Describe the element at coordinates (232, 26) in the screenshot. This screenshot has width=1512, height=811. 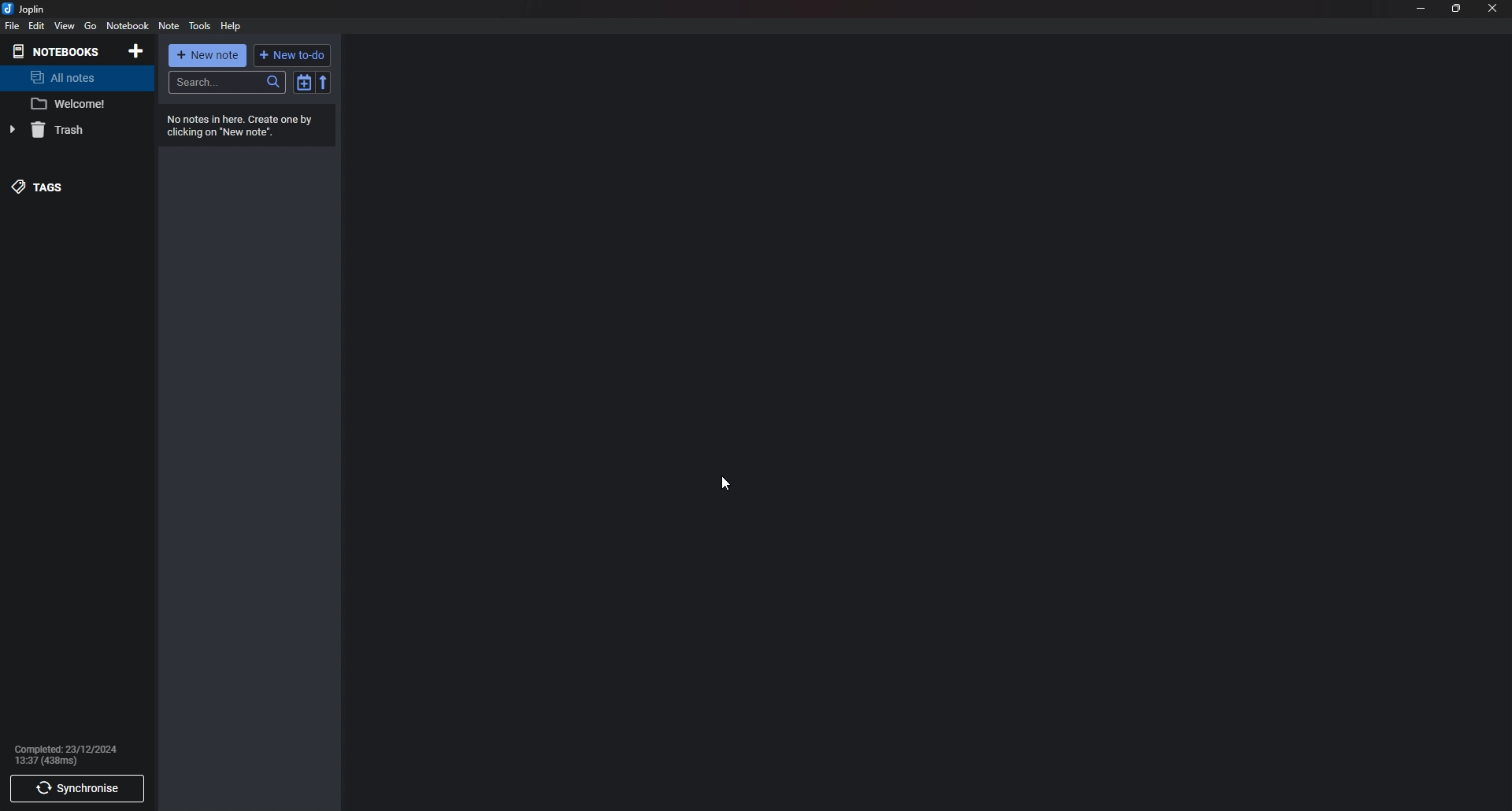
I see `Help` at that location.